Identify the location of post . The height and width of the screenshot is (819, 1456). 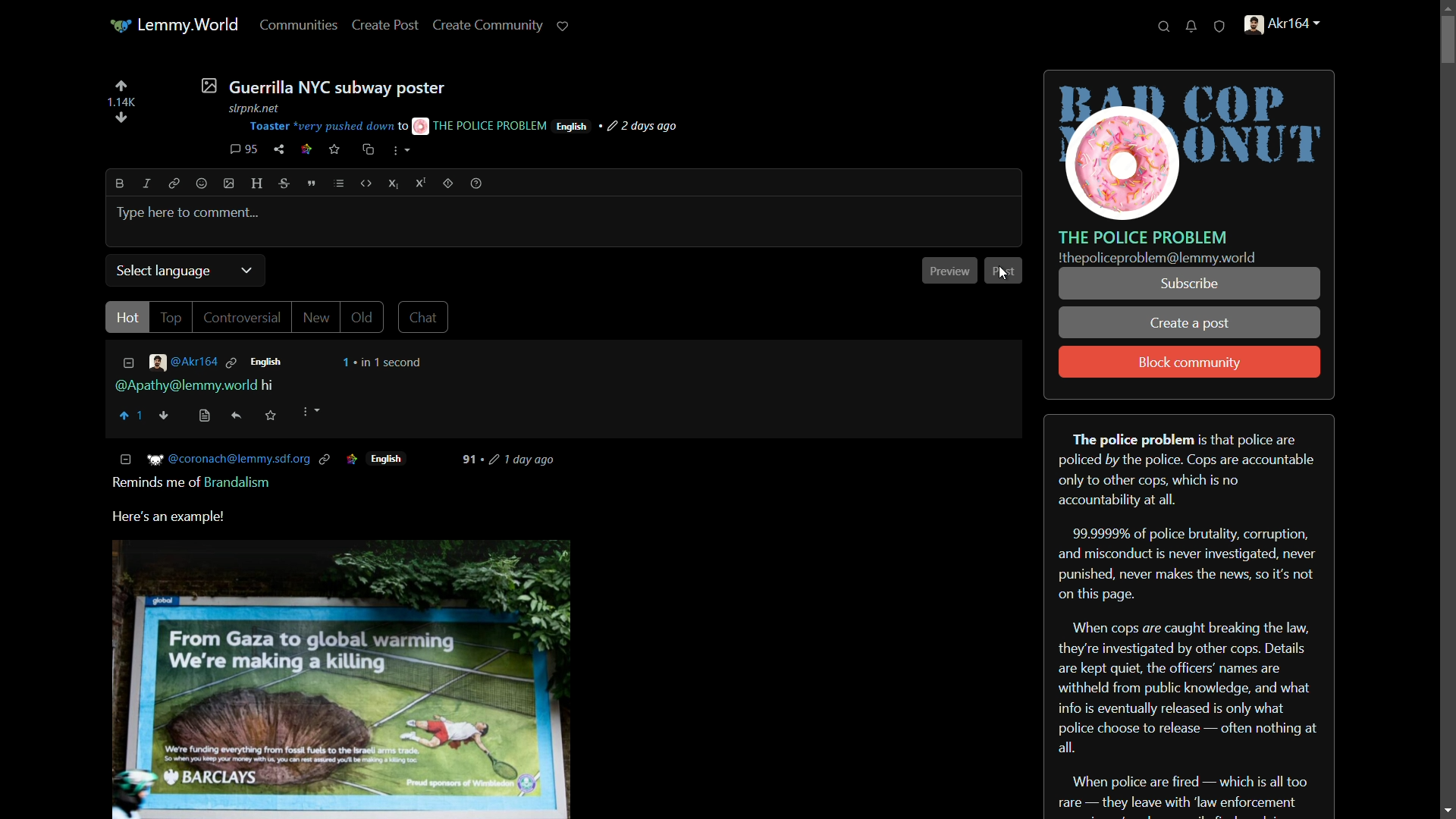
(1006, 268).